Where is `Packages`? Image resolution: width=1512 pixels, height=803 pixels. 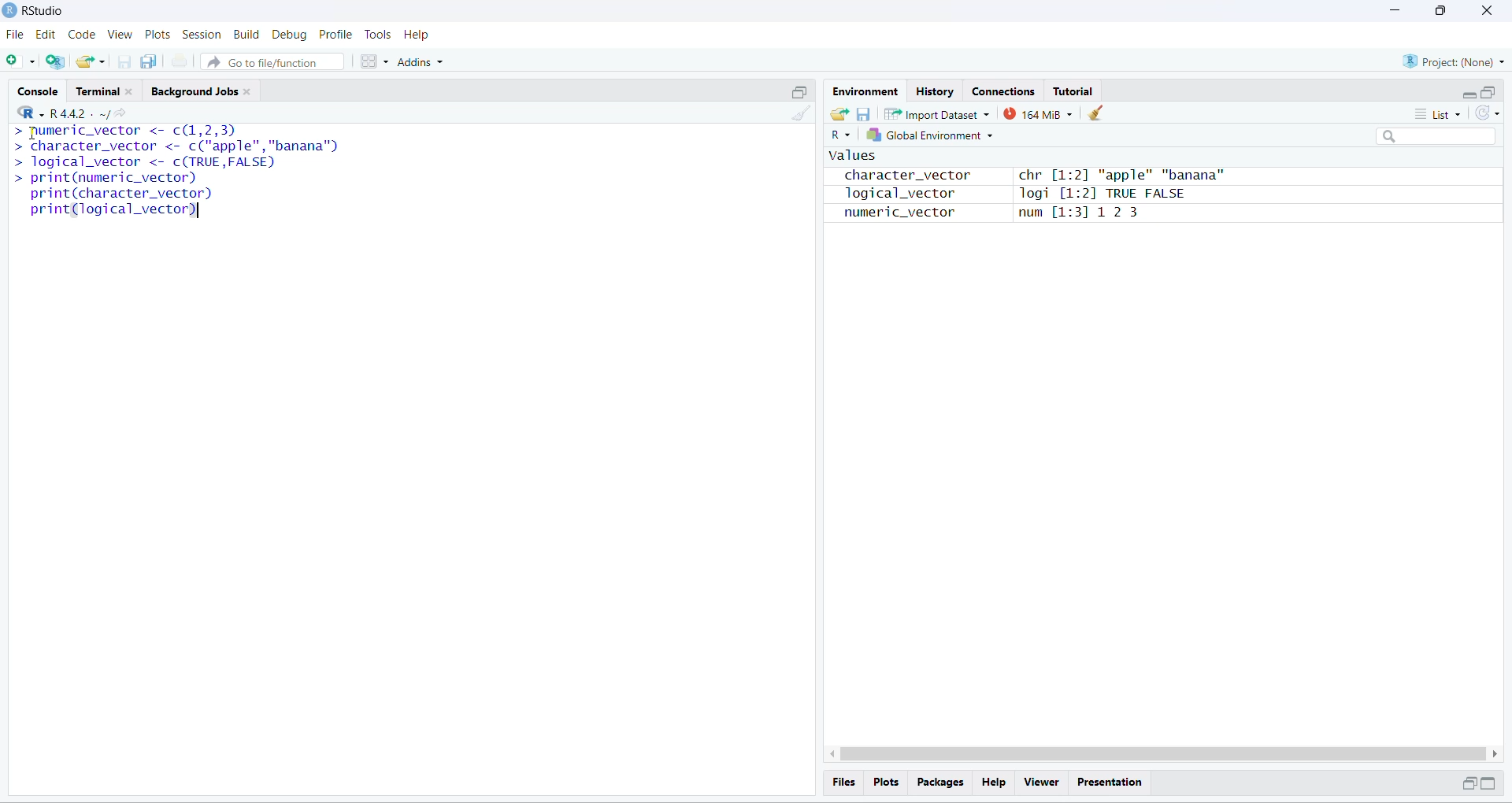 Packages is located at coordinates (940, 783).